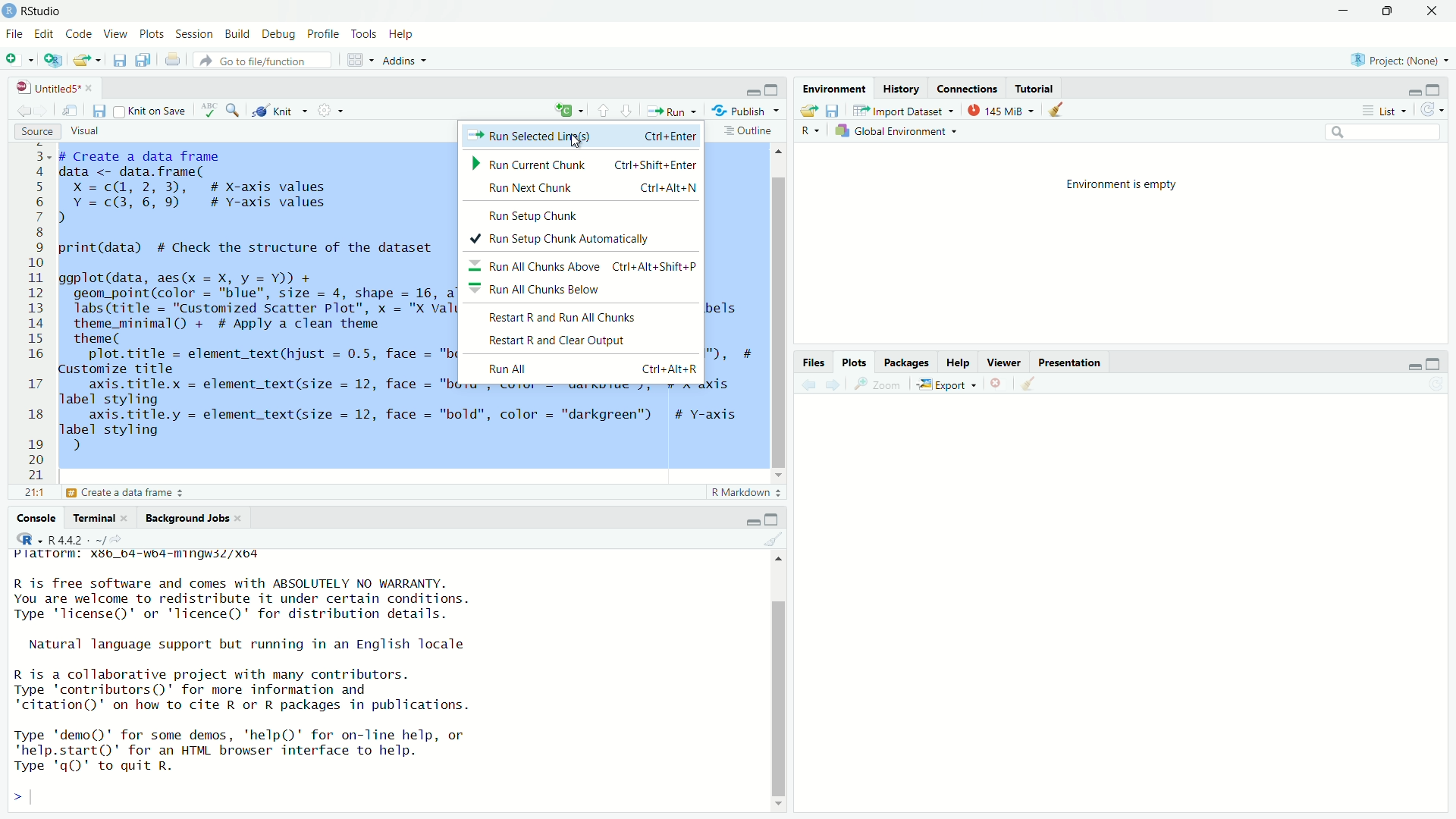  What do you see at coordinates (1036, 90) in the screenshot?
I see `Tutorial` at bounding box center [1036, 90].